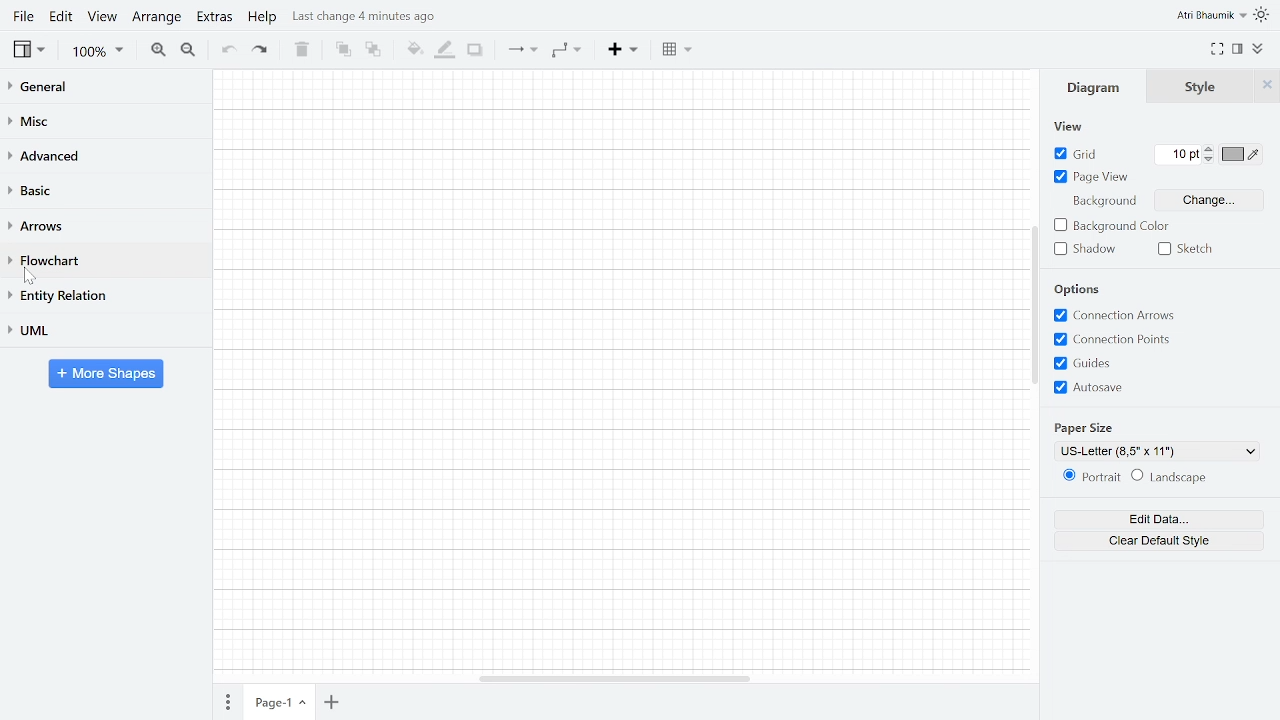 Image resolution: width=1280 pixels, height=720 pixels. Describe the element at coordinates (189, 51) in the screenshot. I see `Zoom out` at that location.